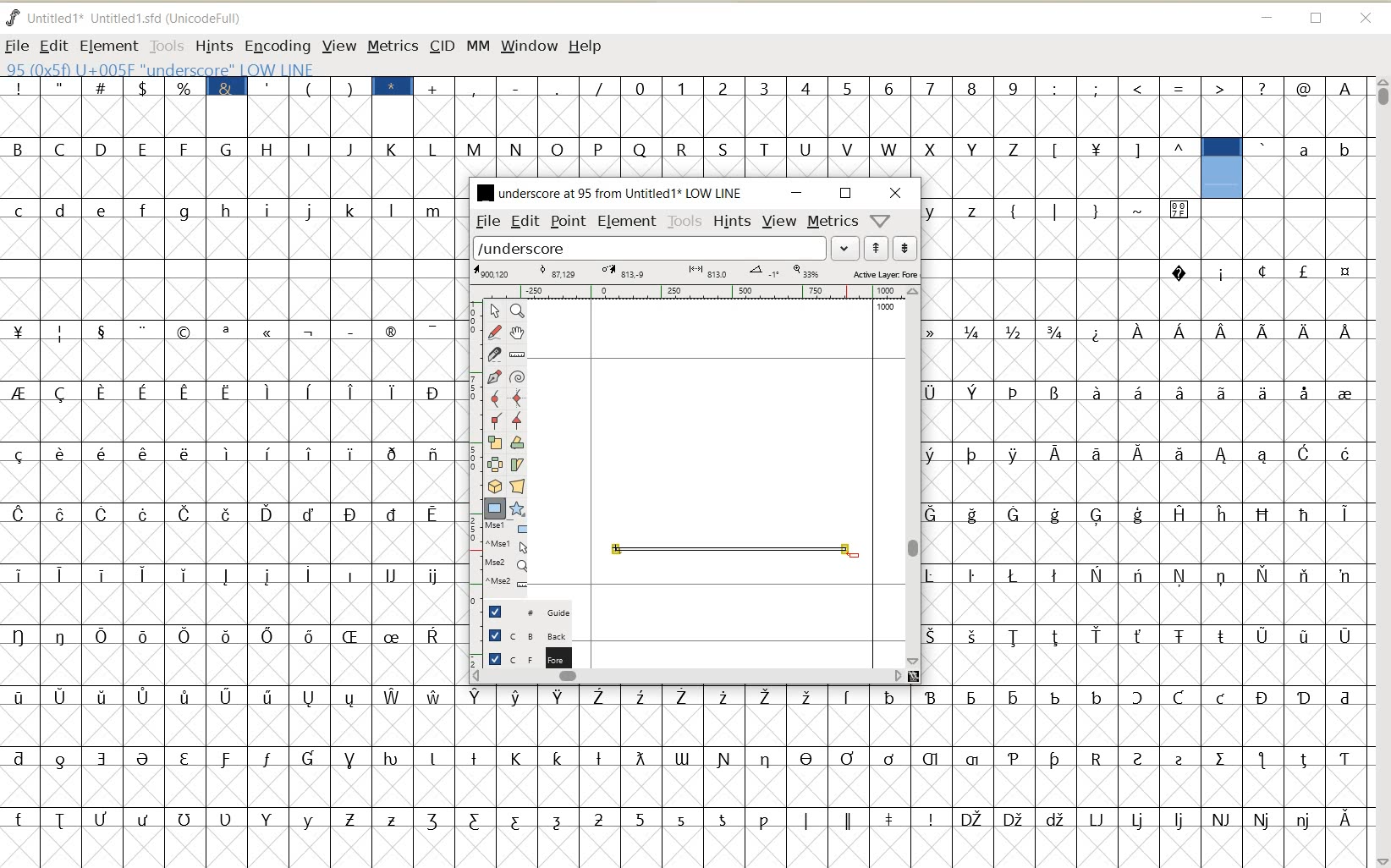 This screenshot has width=1391, height=868. Describe the element at coordinates (914, 477) in the screenshot. I see `SCROLLBAR` at that location.